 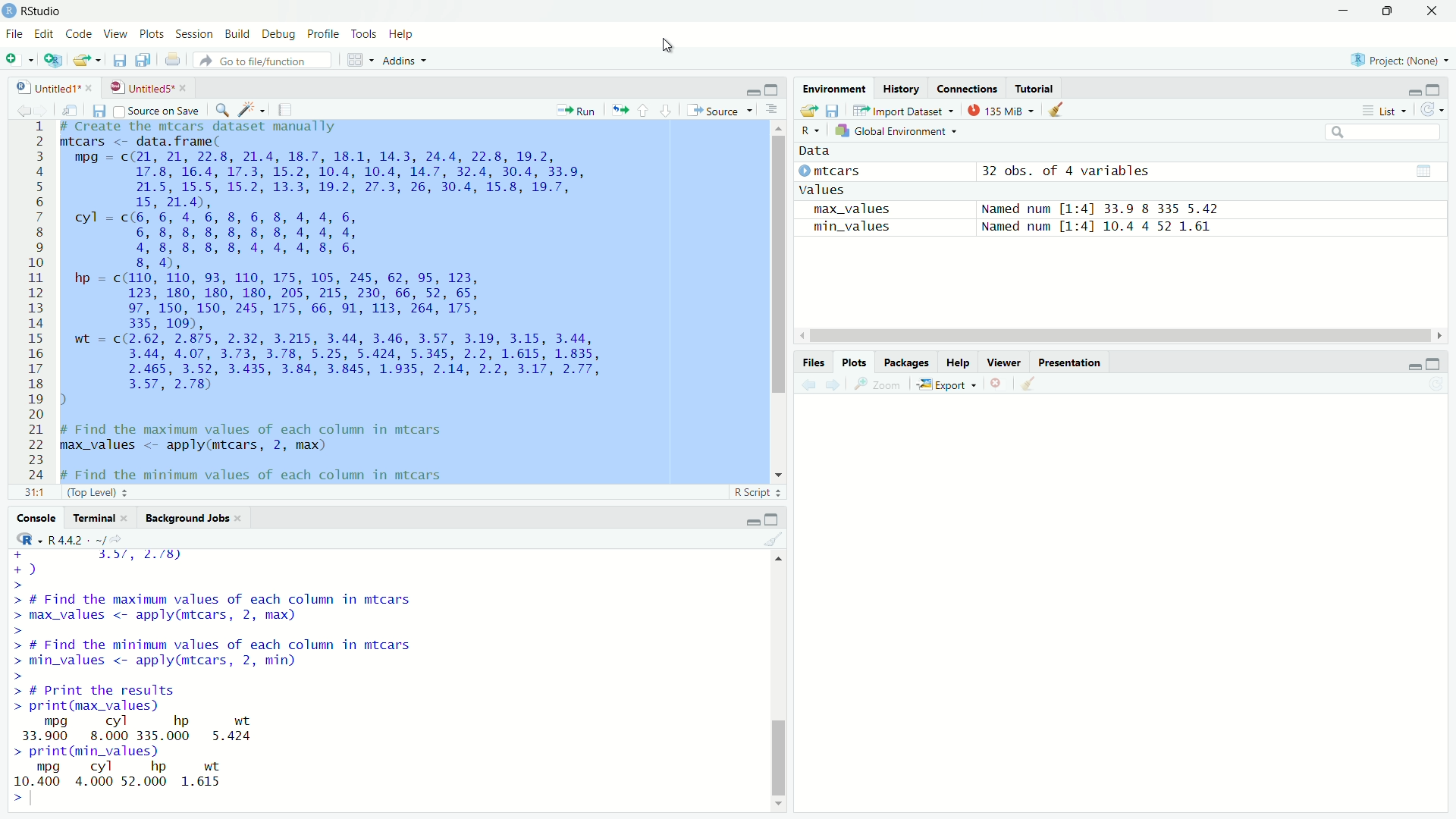 What do you see at coordinates (808, 127) in the screenshot?
I see `R~` at bounding box center [808, 127].